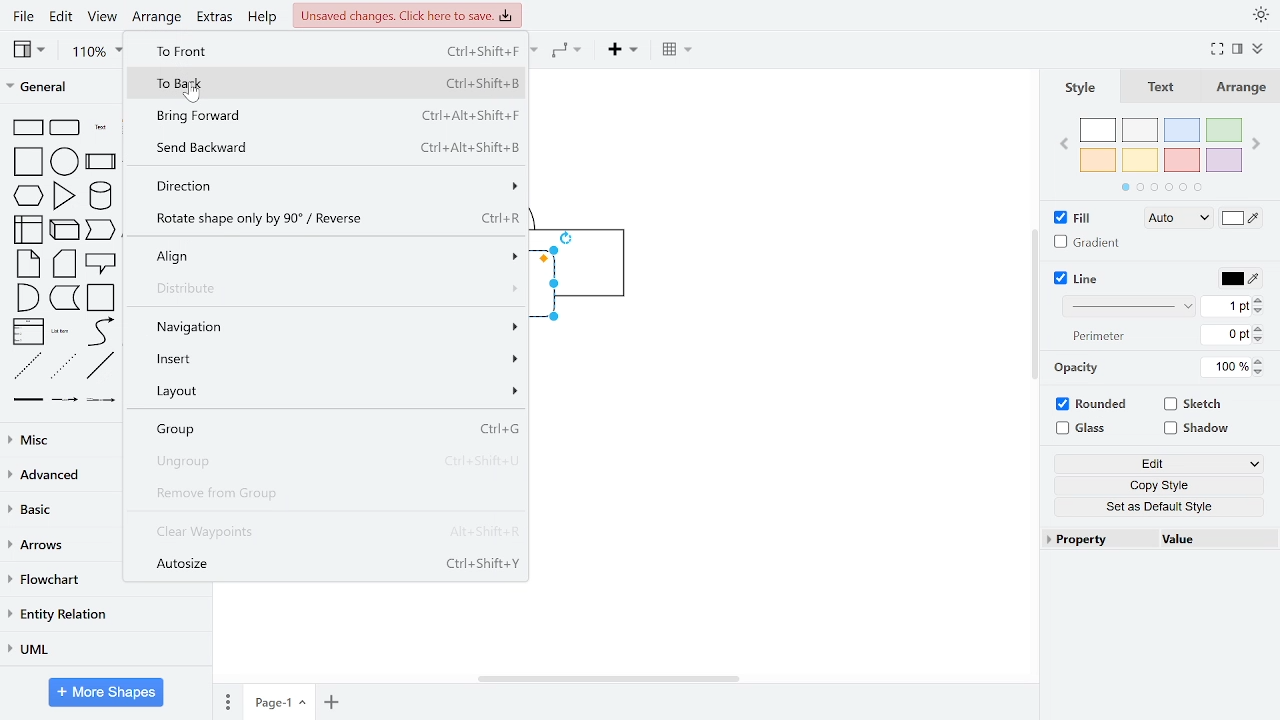 This screenshot has height=720, width=1280. Describe the element at coordinates (99, 51) in the screenshot. I see `zoom` at that location.